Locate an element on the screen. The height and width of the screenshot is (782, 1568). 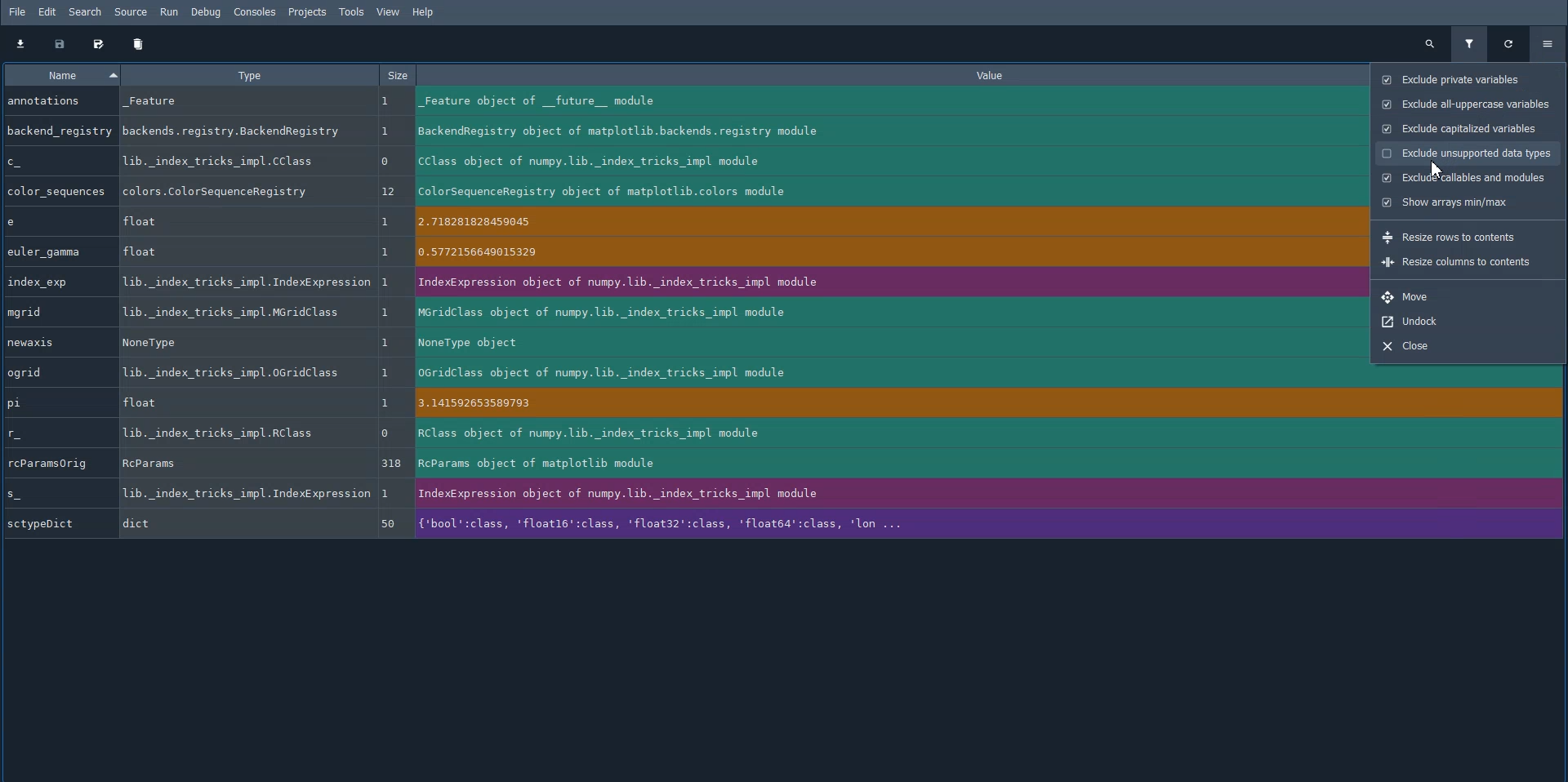
1 is located at coordinates (387, 131).